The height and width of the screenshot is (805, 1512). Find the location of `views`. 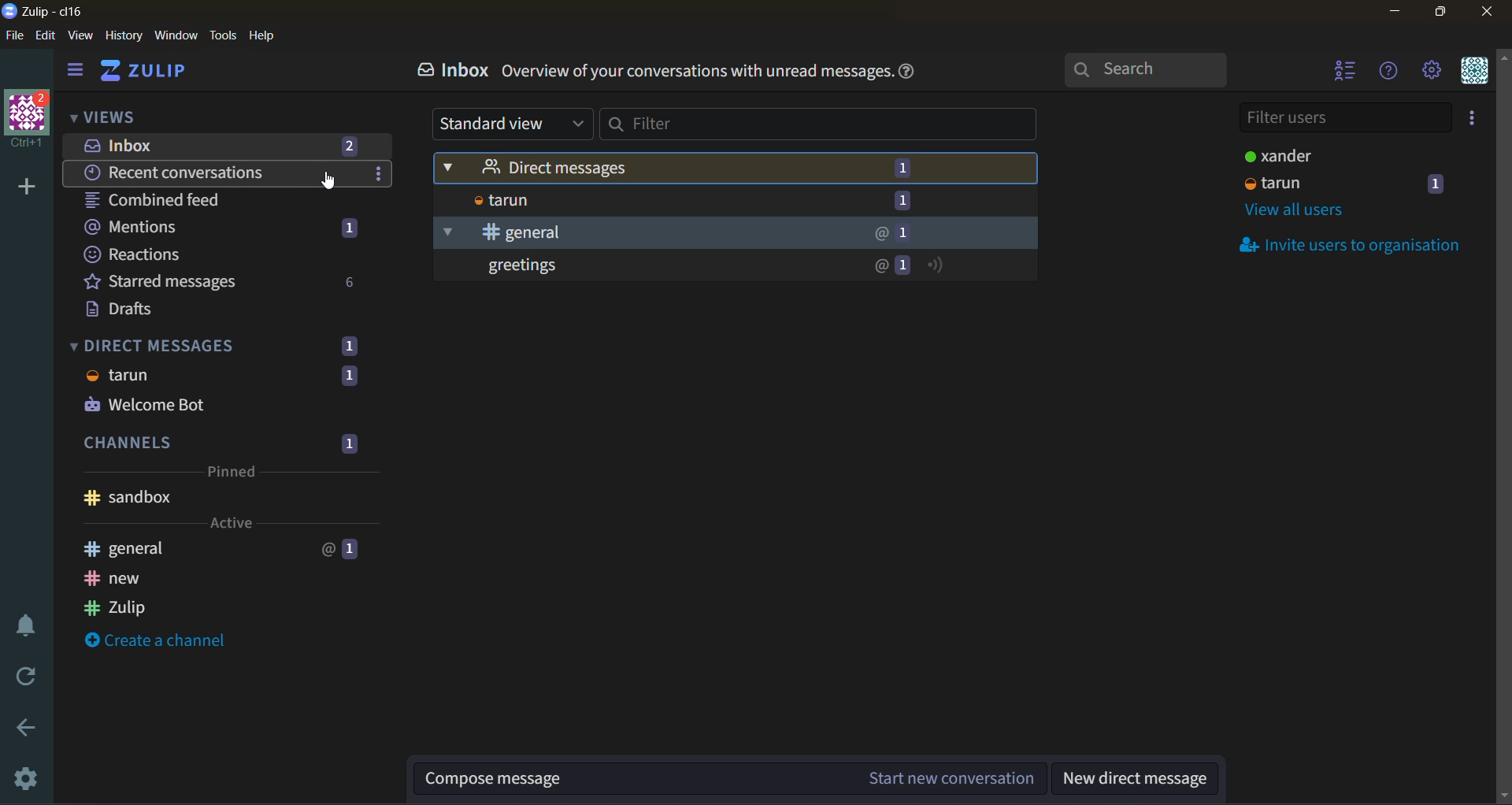

views is located at coordinates (128, 114).